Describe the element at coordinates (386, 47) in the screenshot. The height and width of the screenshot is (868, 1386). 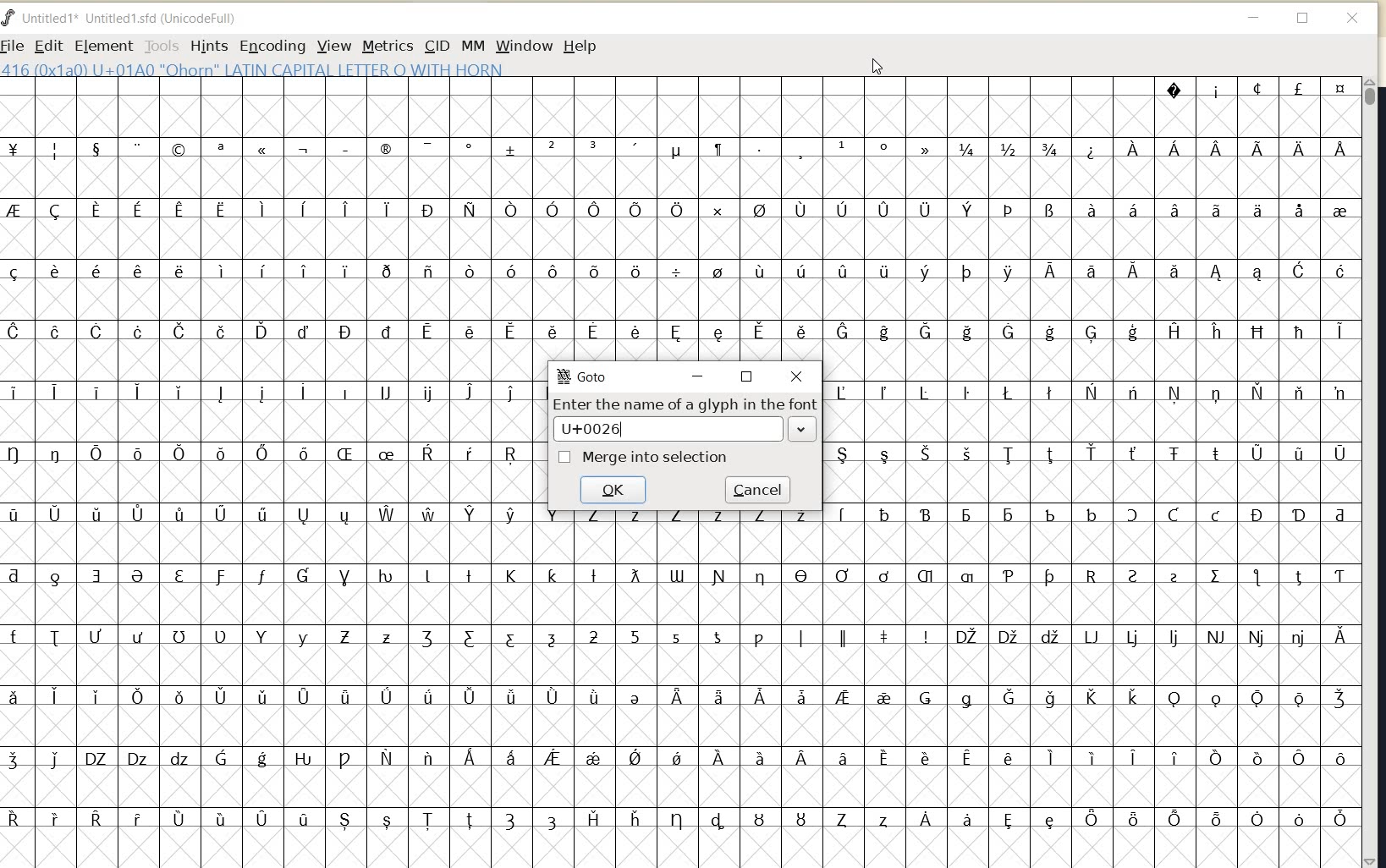
I see `METRICS` at that location.